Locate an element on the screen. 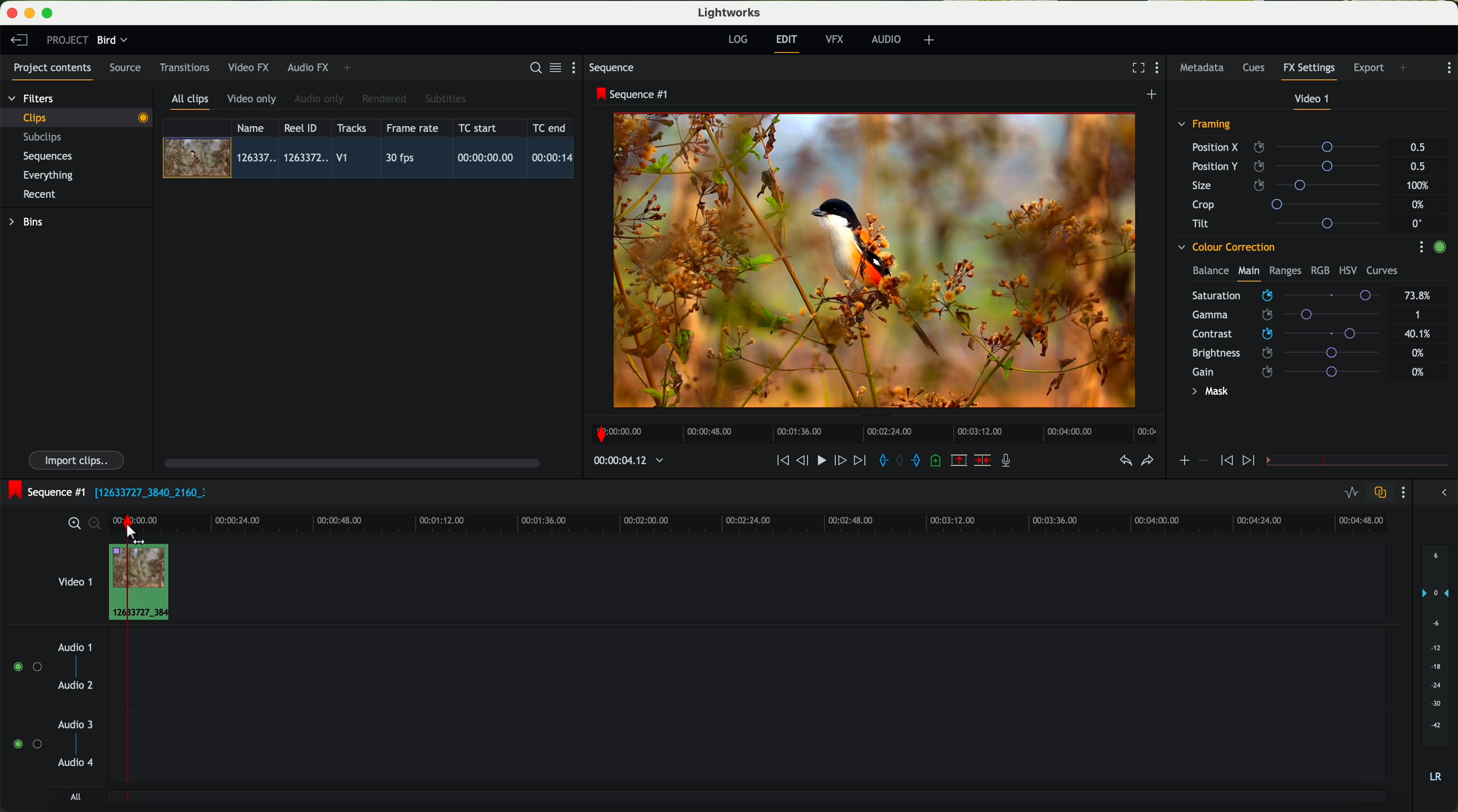 The width and height of the screenshot is (1458, 812). click on saturation is located at coordinates (1280, 316).